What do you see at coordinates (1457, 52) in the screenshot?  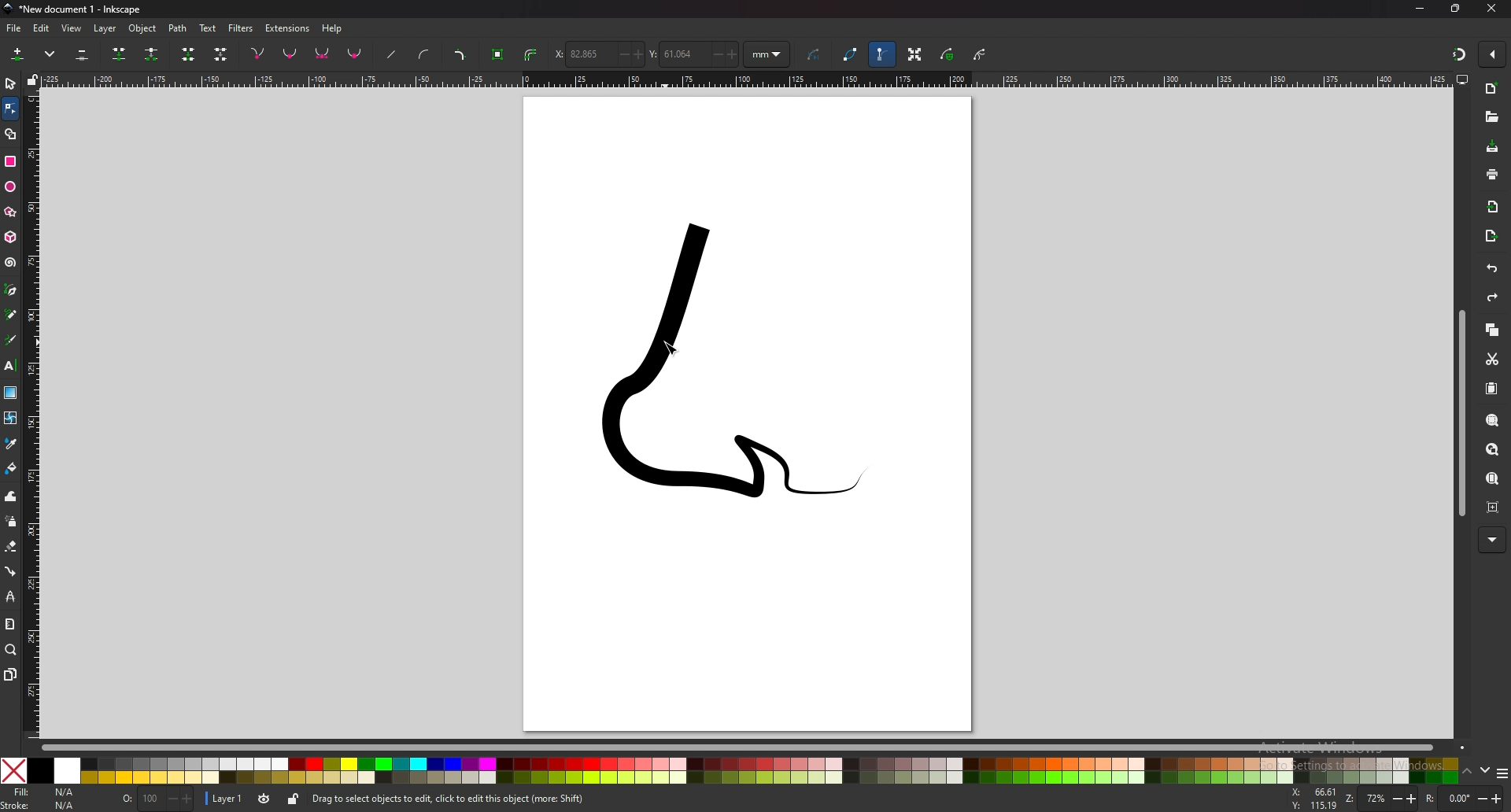 I see `snapping` at bounding box center [1457, 52].